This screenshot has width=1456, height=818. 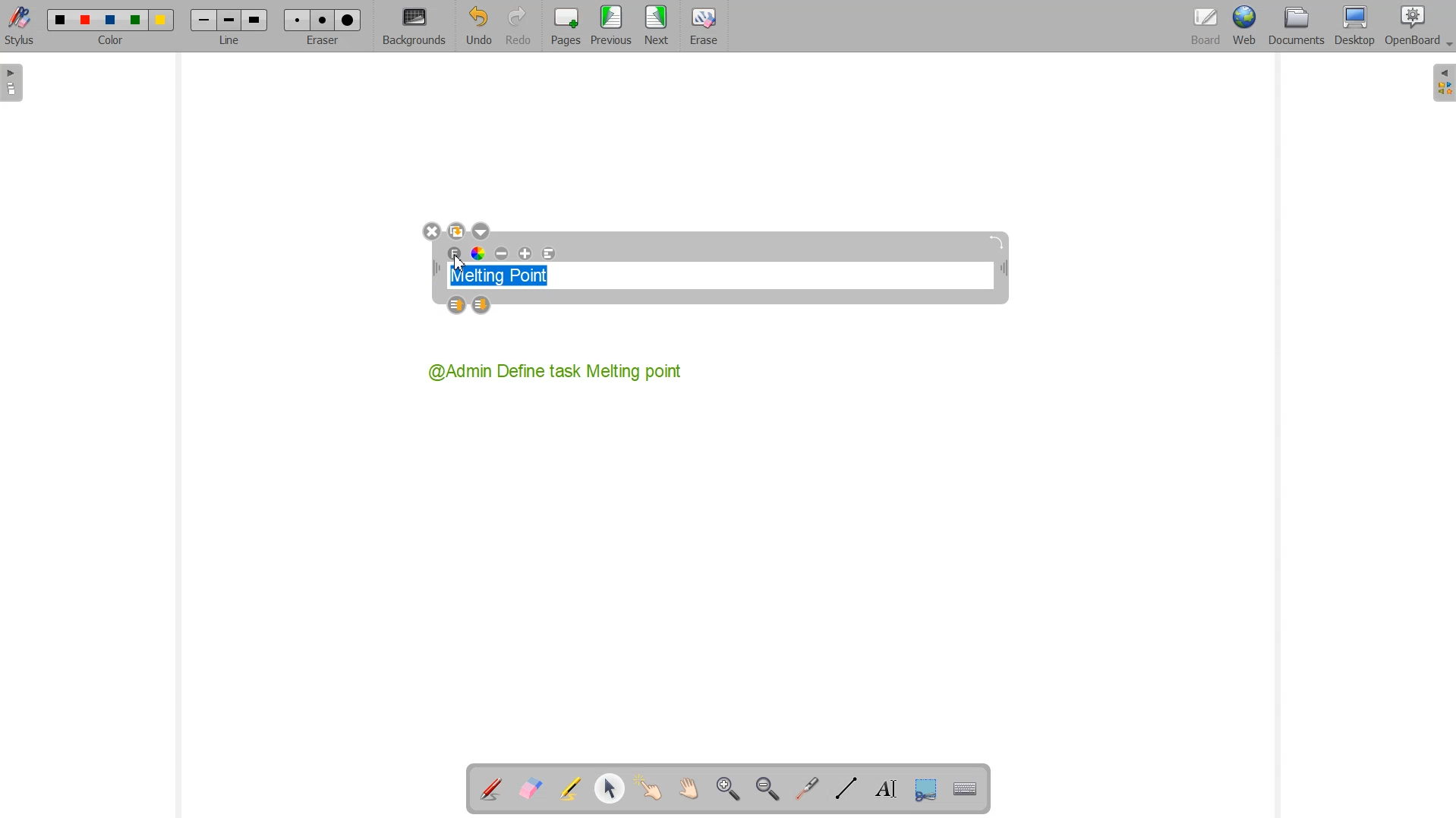 What do you see at coordinates (807, 788) in the screenshot?
I see `Virtual laser Pointer` at bounding box center [807, 788].